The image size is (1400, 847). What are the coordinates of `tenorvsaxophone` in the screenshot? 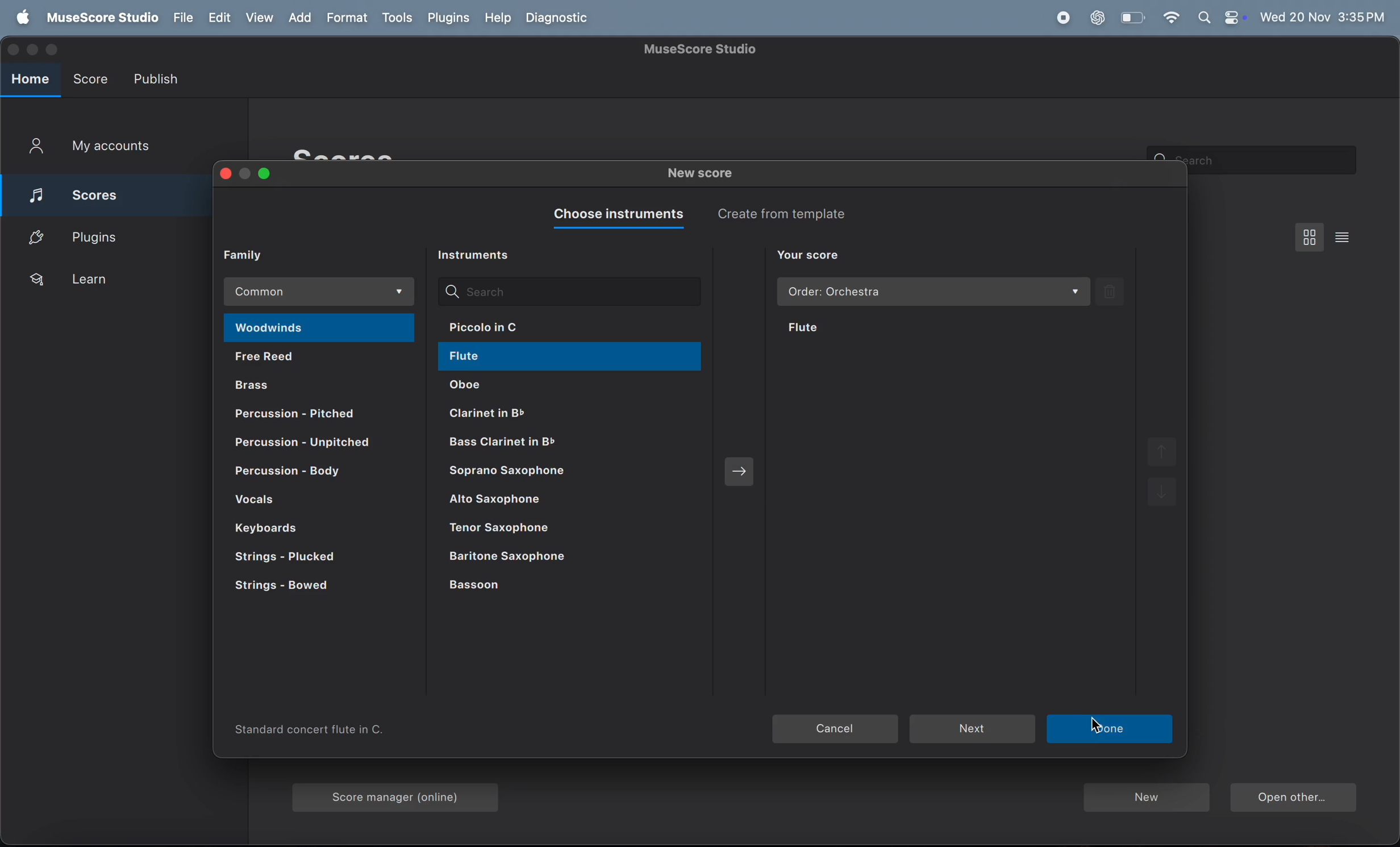 It's located at (559, 529).